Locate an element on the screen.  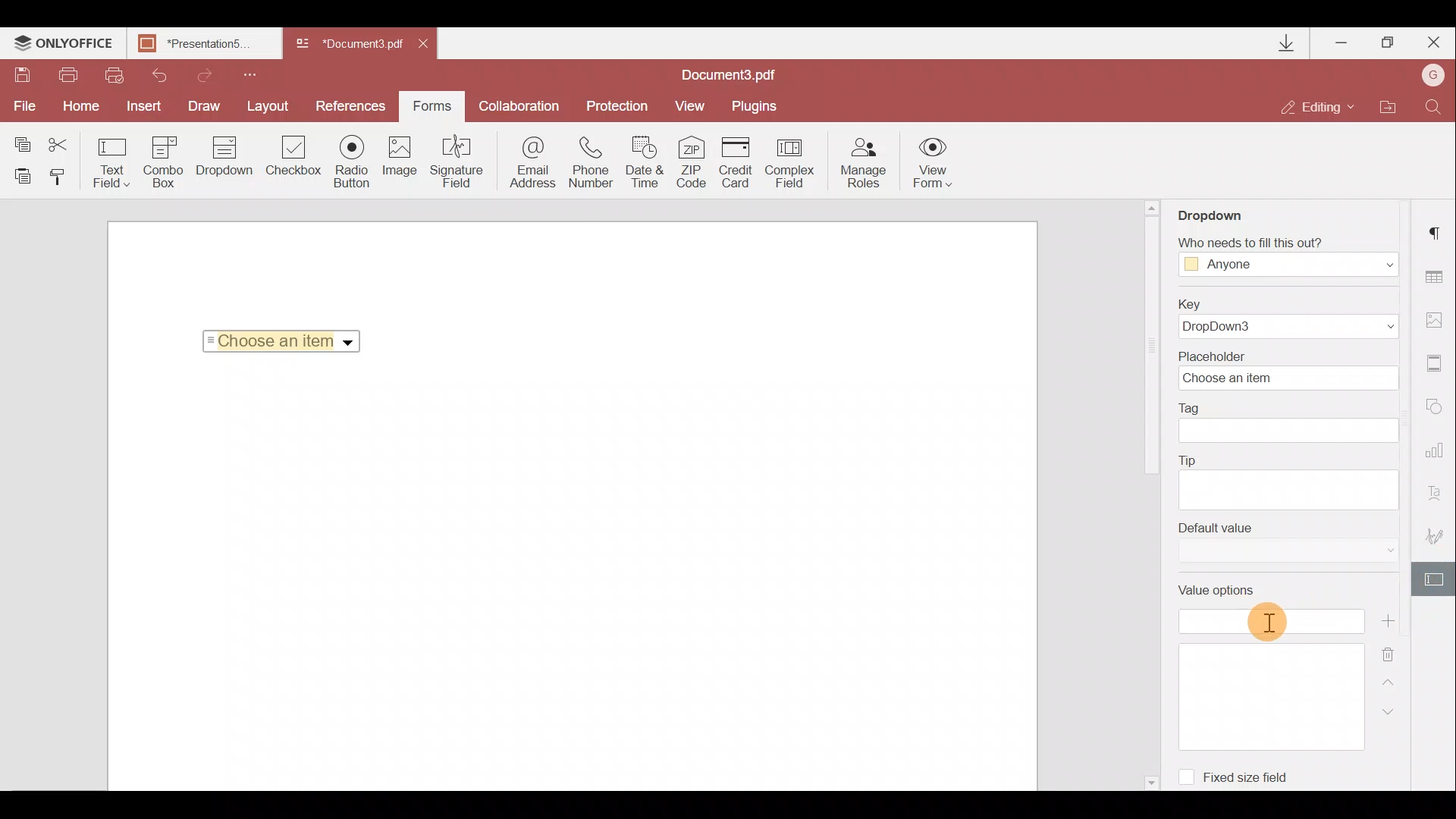
Manage roles is located at coordinates (864, 163).